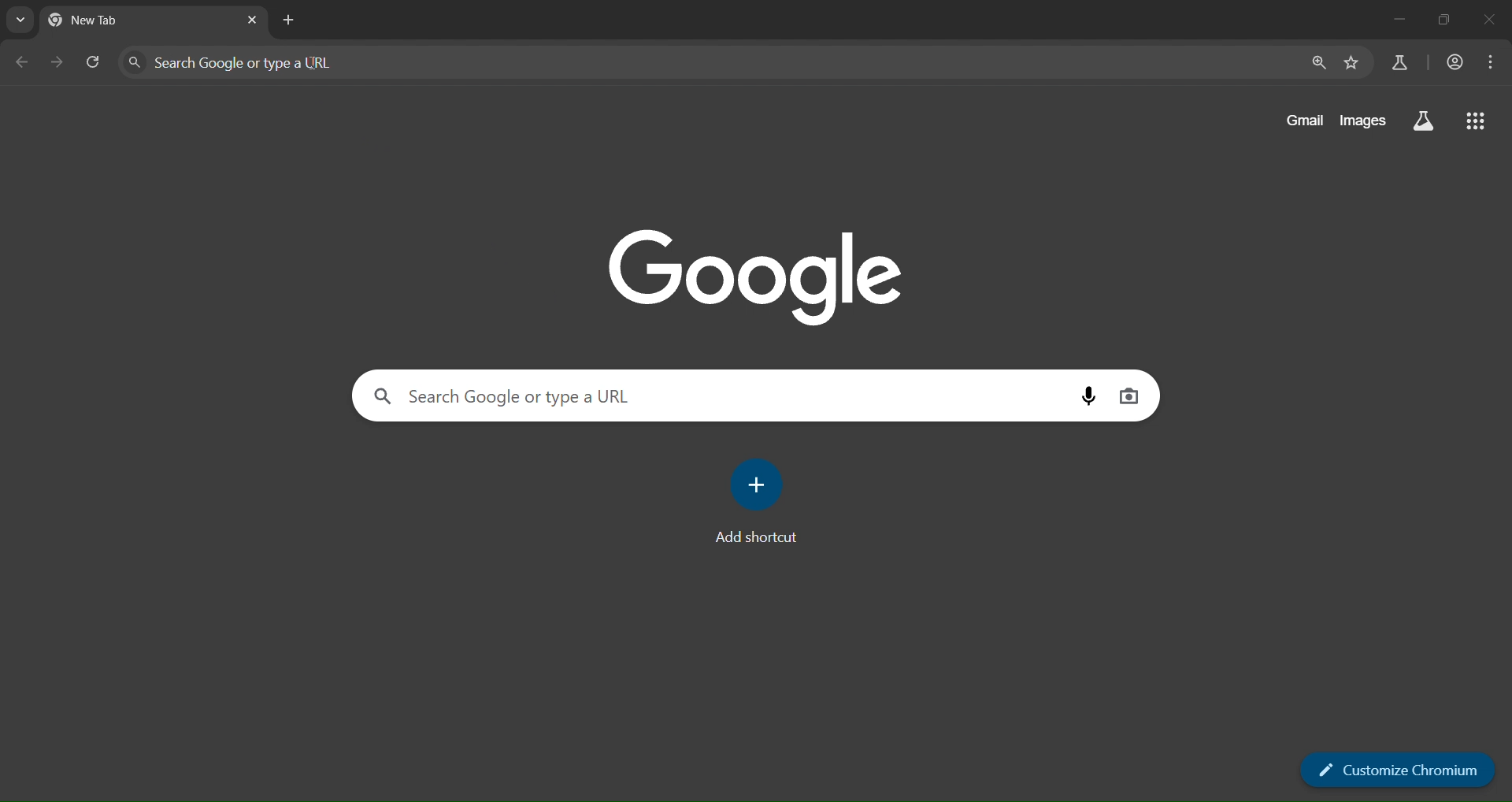  I want to click on zoom, so click(1315, 63).